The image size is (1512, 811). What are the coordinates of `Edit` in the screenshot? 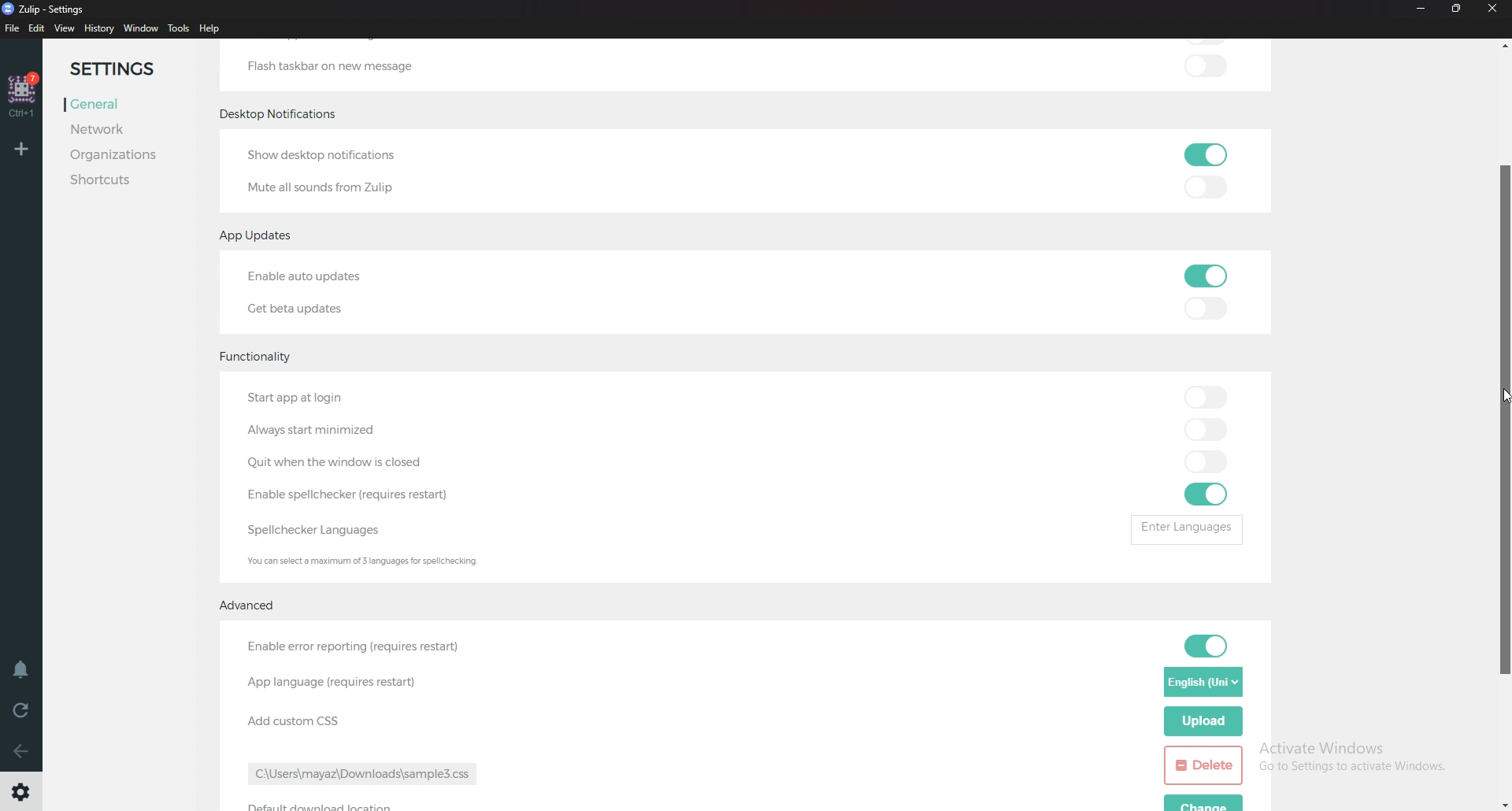 It's located at (38, 29).